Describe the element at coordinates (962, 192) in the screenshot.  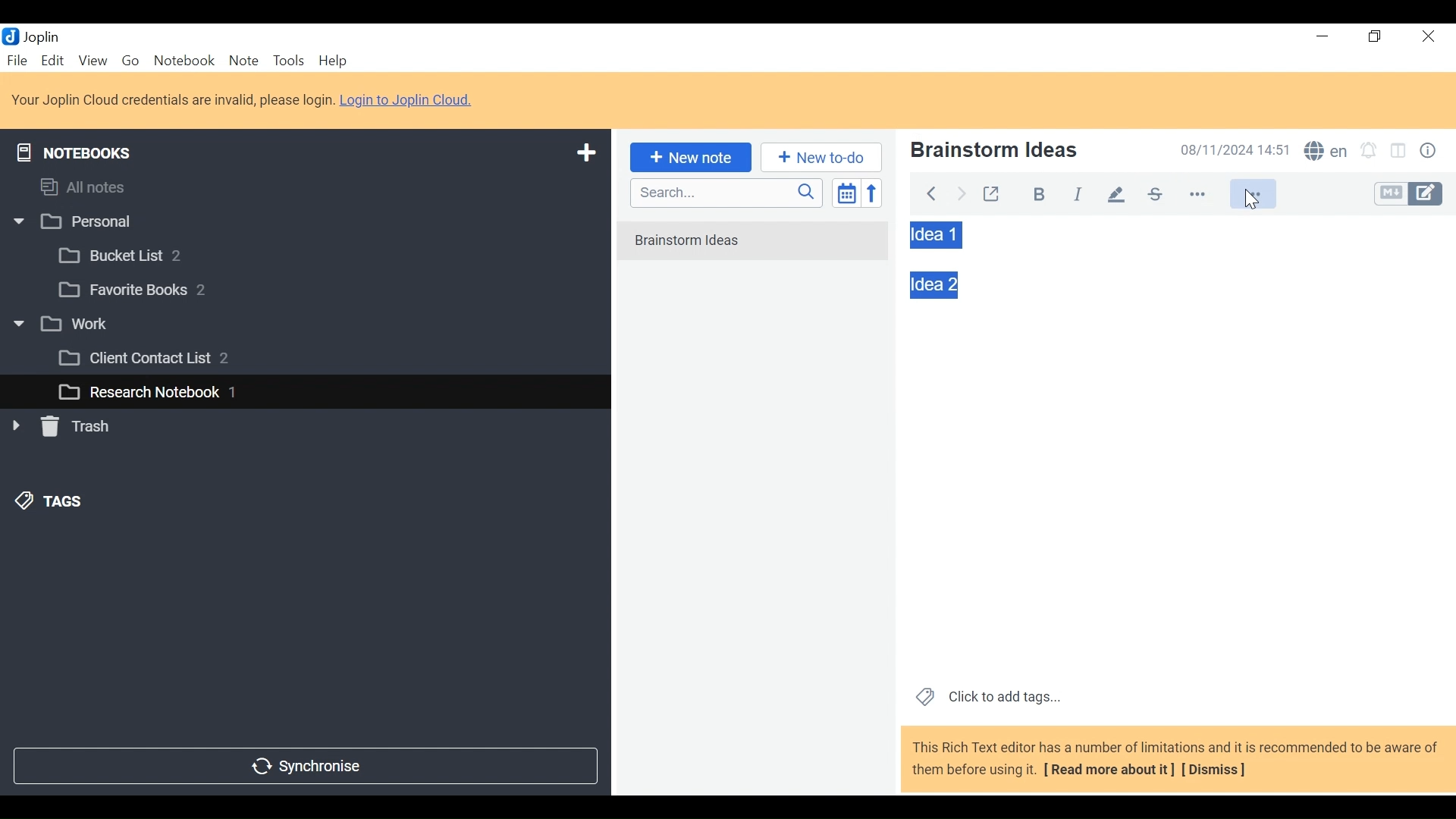
I see `Forward` at that location.